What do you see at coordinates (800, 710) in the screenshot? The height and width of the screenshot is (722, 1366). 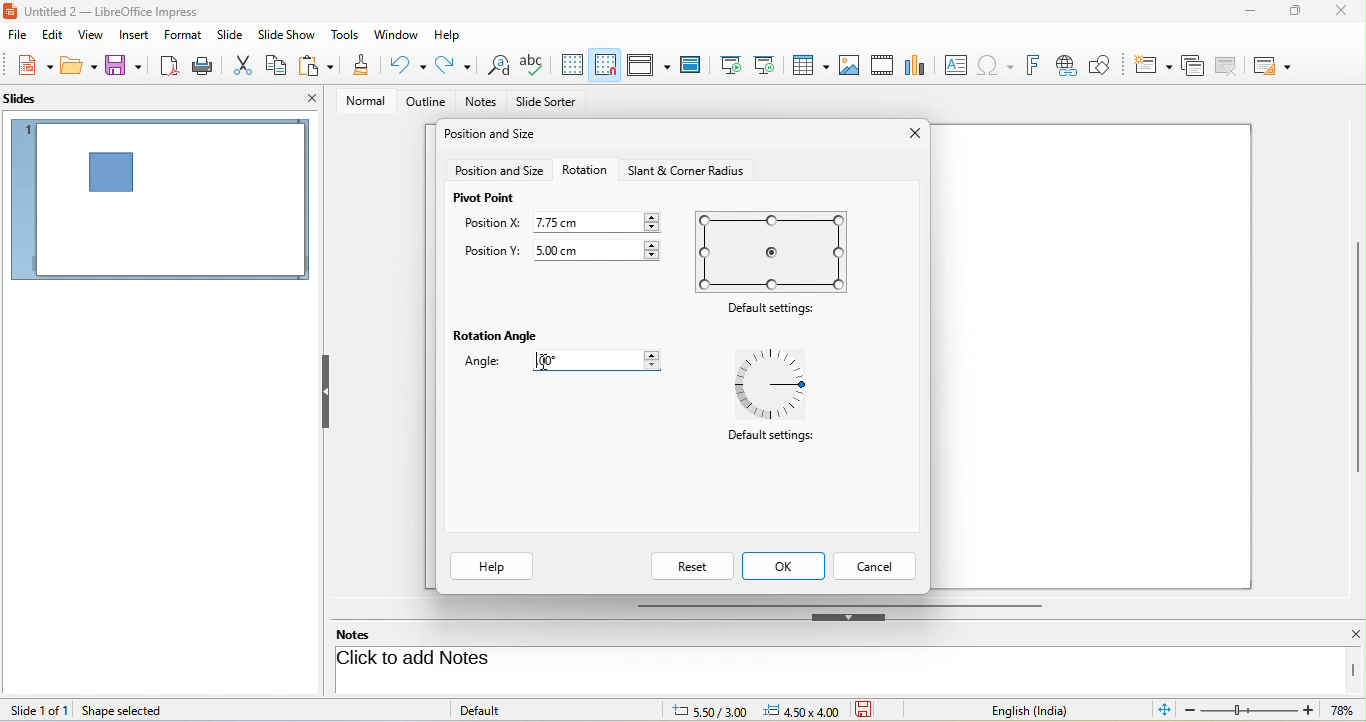 I see `object position-4.5x4.00` at bounding box center [800, 710].